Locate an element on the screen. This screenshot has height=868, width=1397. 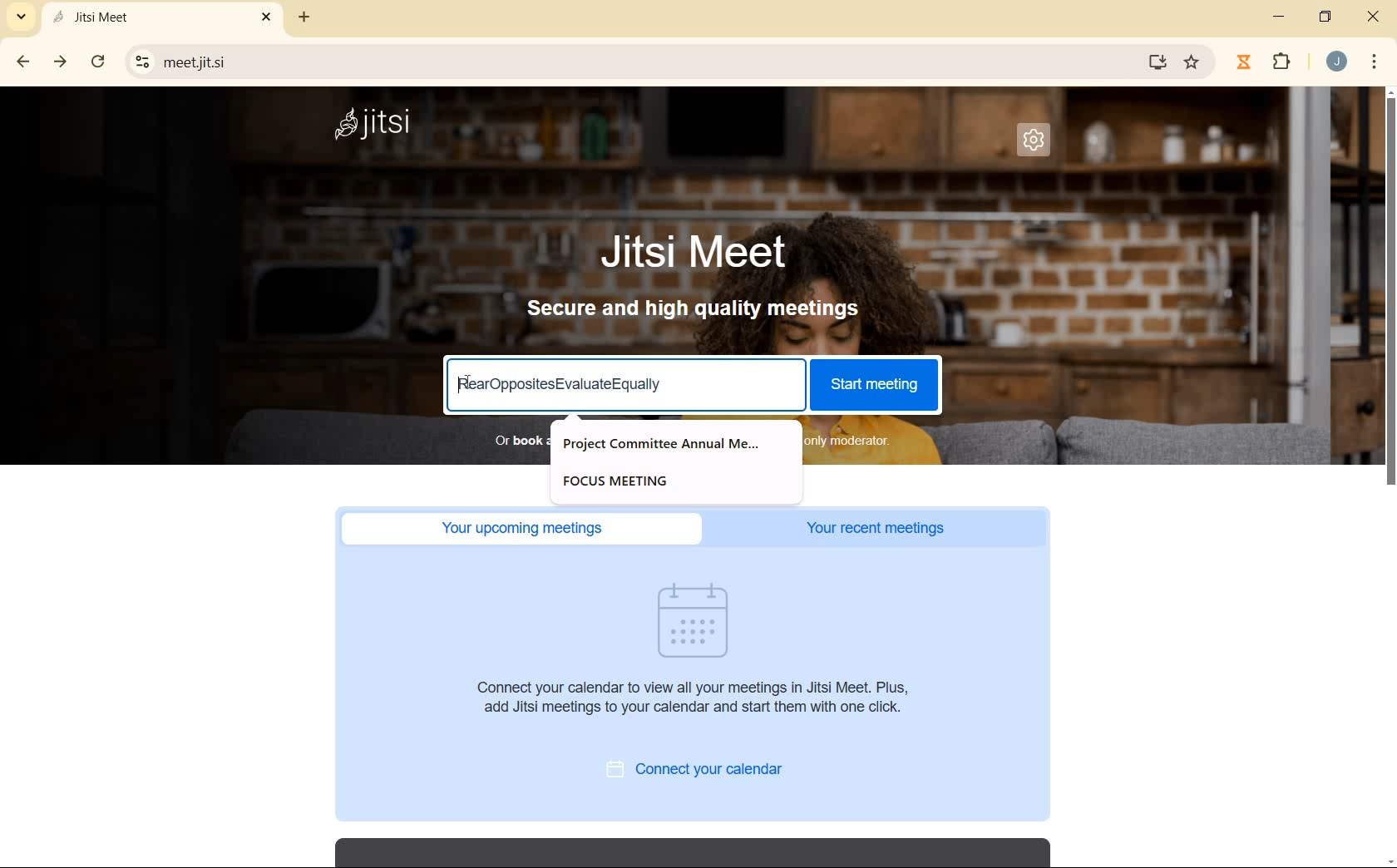
Jitsi Meet is located at coordinates (696, 253).